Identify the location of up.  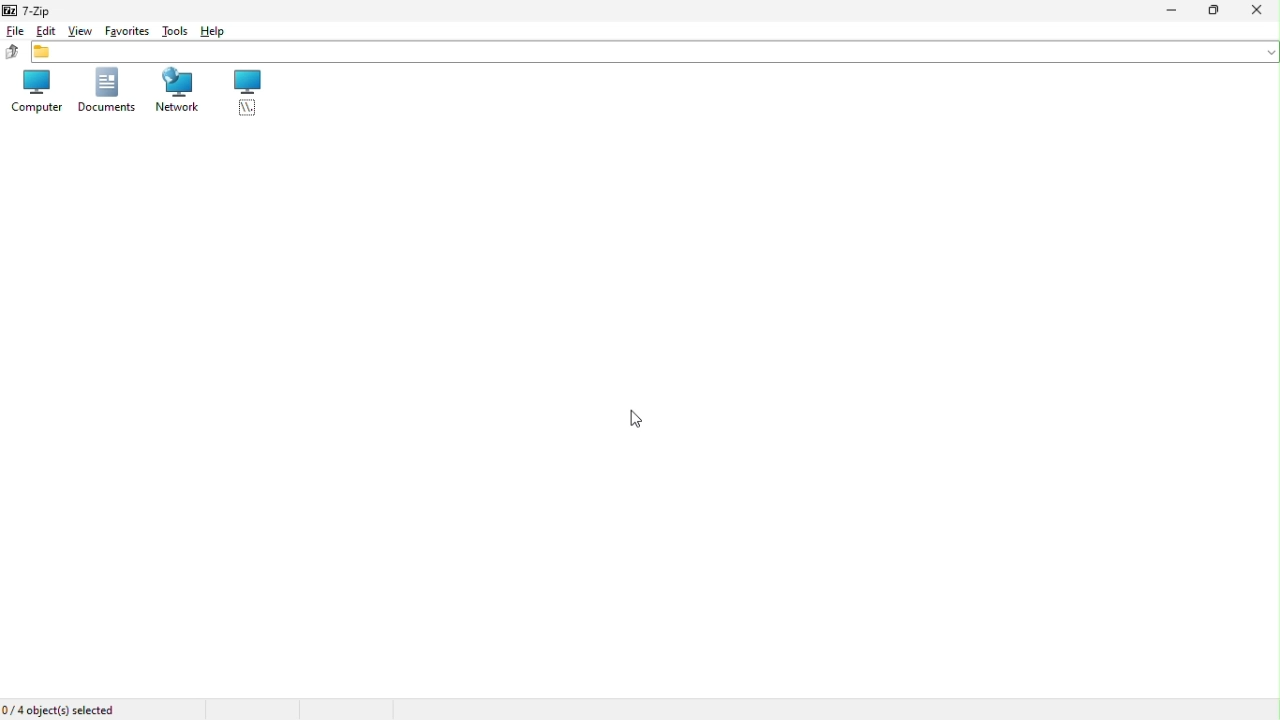
(12, 53).